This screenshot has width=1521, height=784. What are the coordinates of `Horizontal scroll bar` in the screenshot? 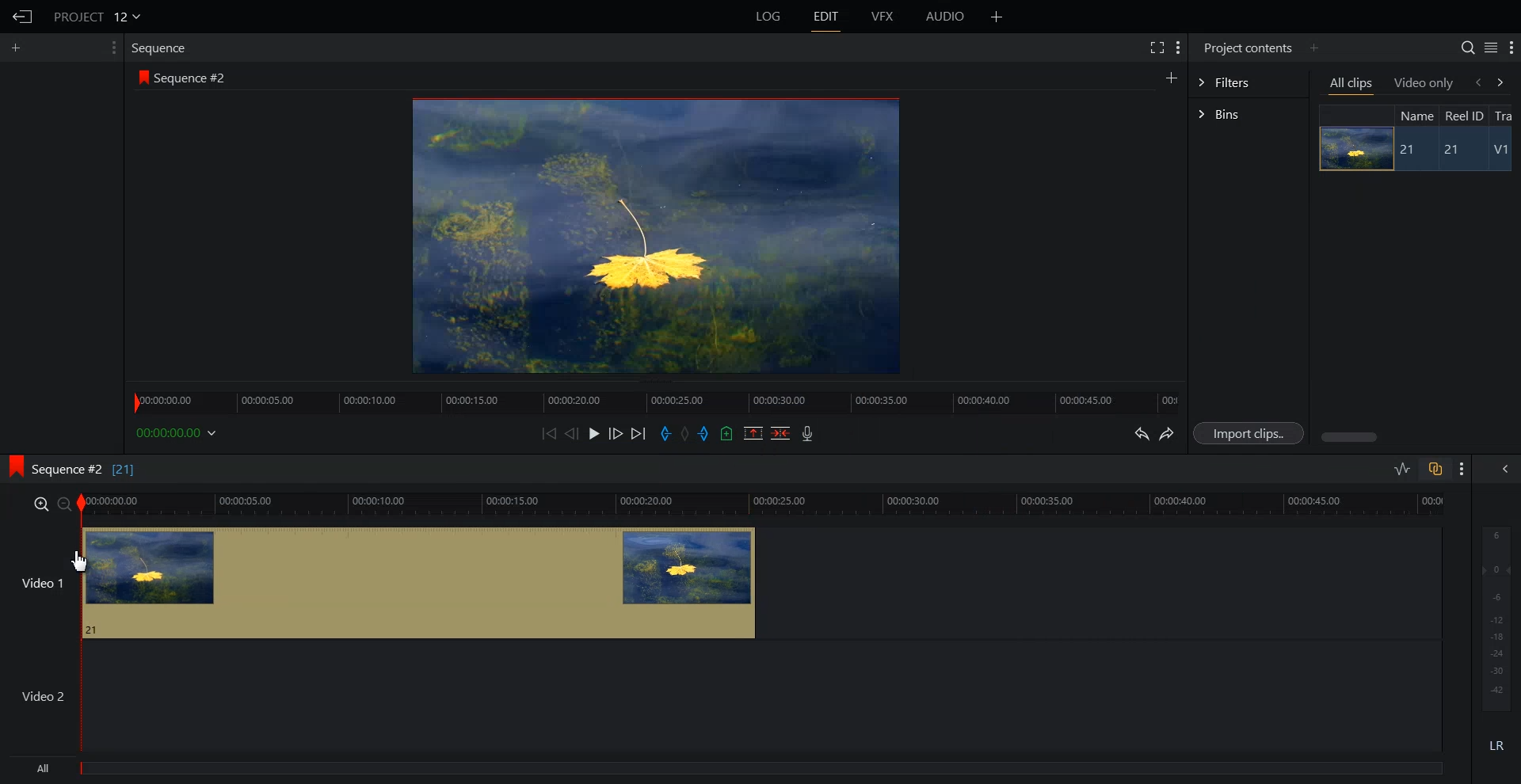 It's located at (1351, 437).